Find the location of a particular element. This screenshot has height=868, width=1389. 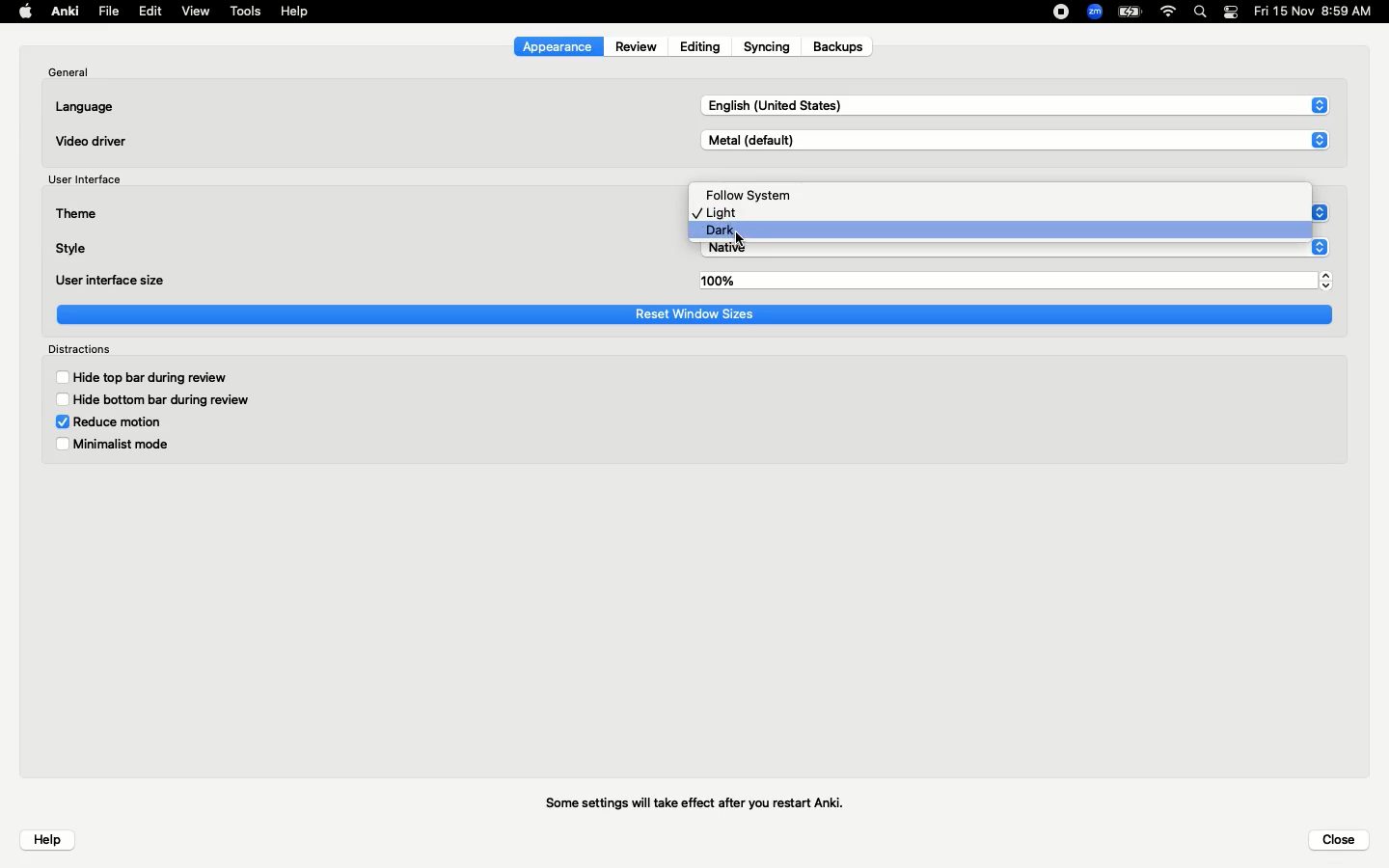

Anki is located at coordinates (64, 10).